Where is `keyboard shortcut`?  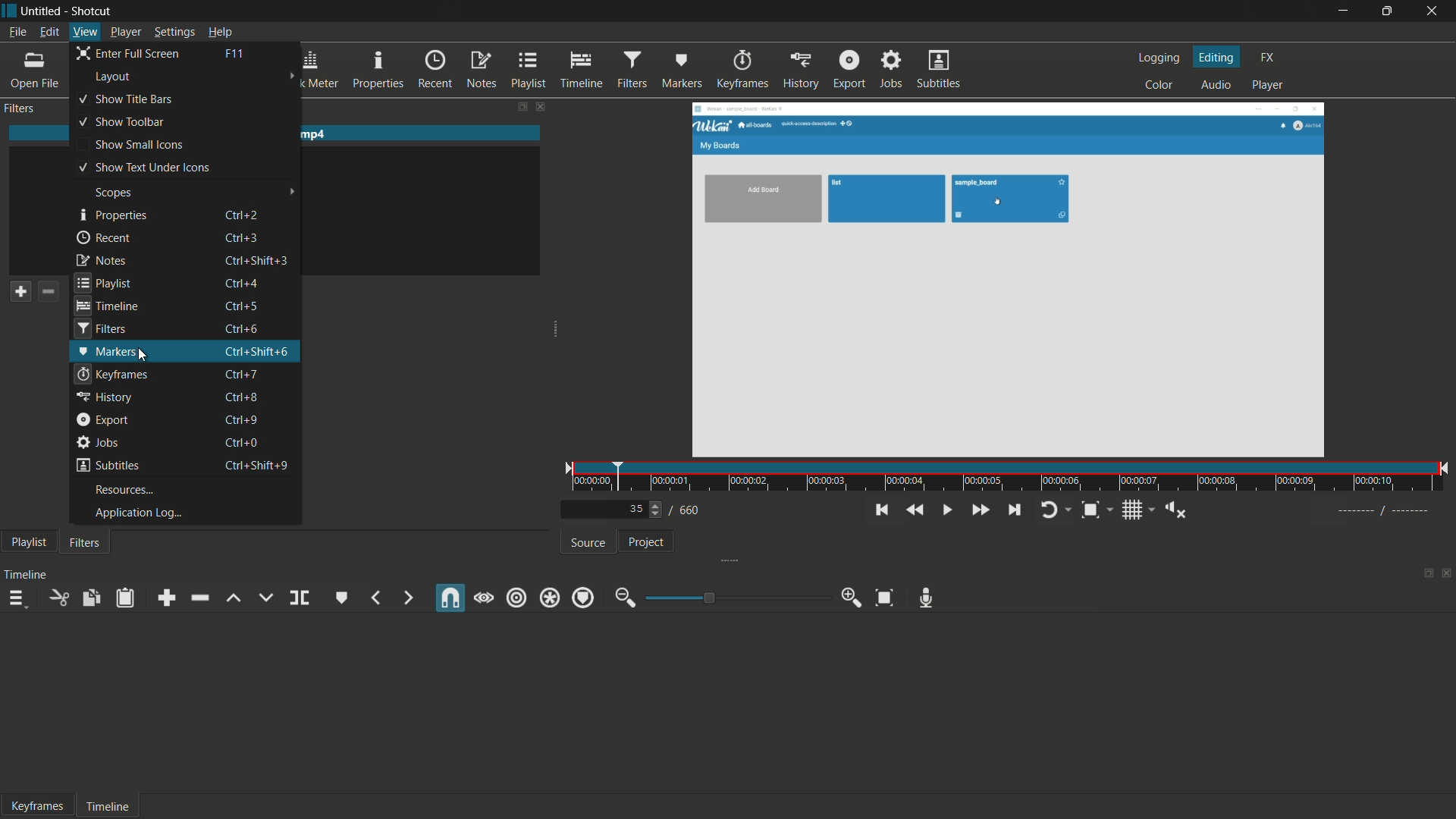
keyboard shortcut is located at coordinates (240, 328).